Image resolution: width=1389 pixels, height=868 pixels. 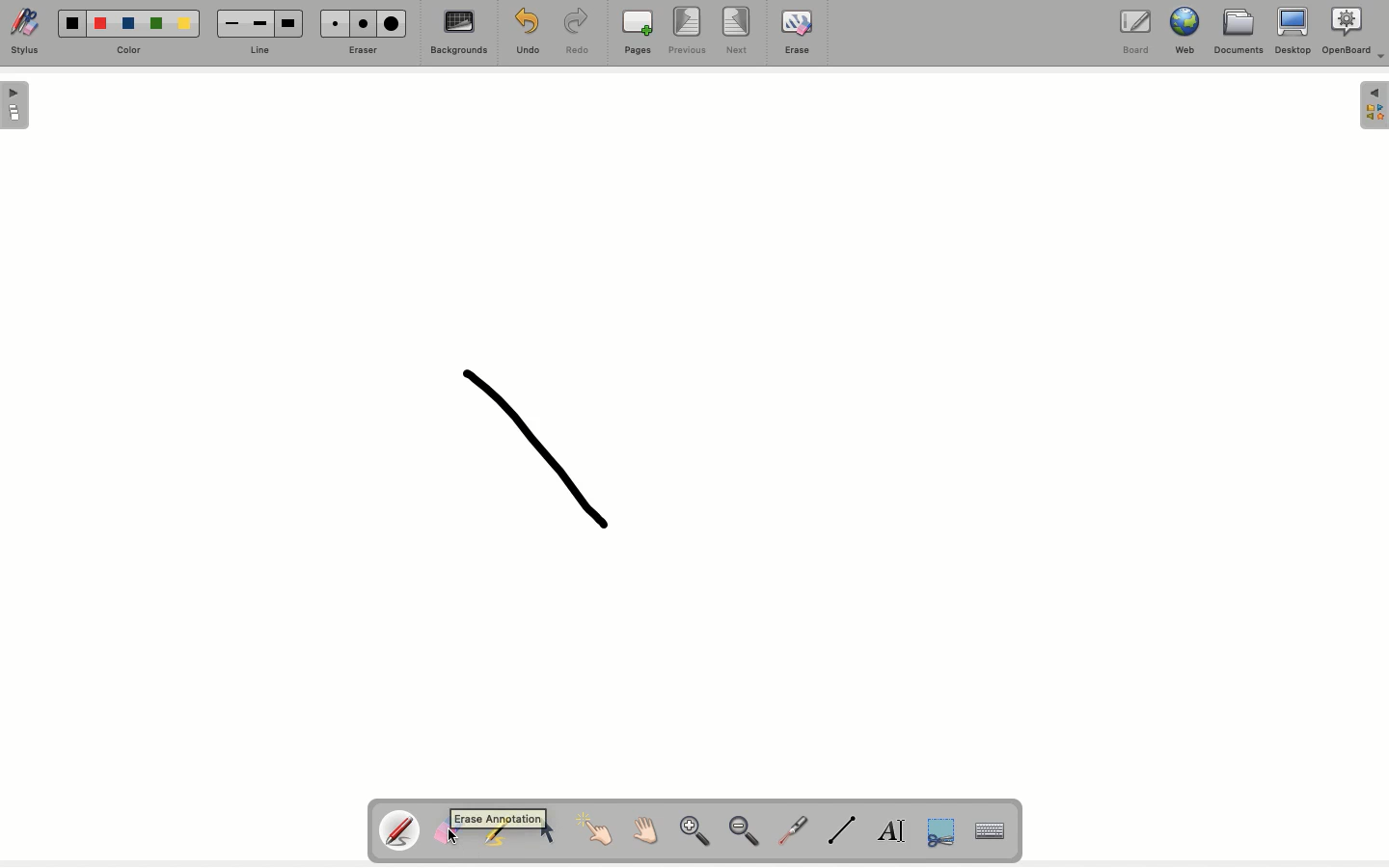 What do you see at coordinates (499, 819) in the screenshot?
I see `tool tip` at bounding box center [499, 819].